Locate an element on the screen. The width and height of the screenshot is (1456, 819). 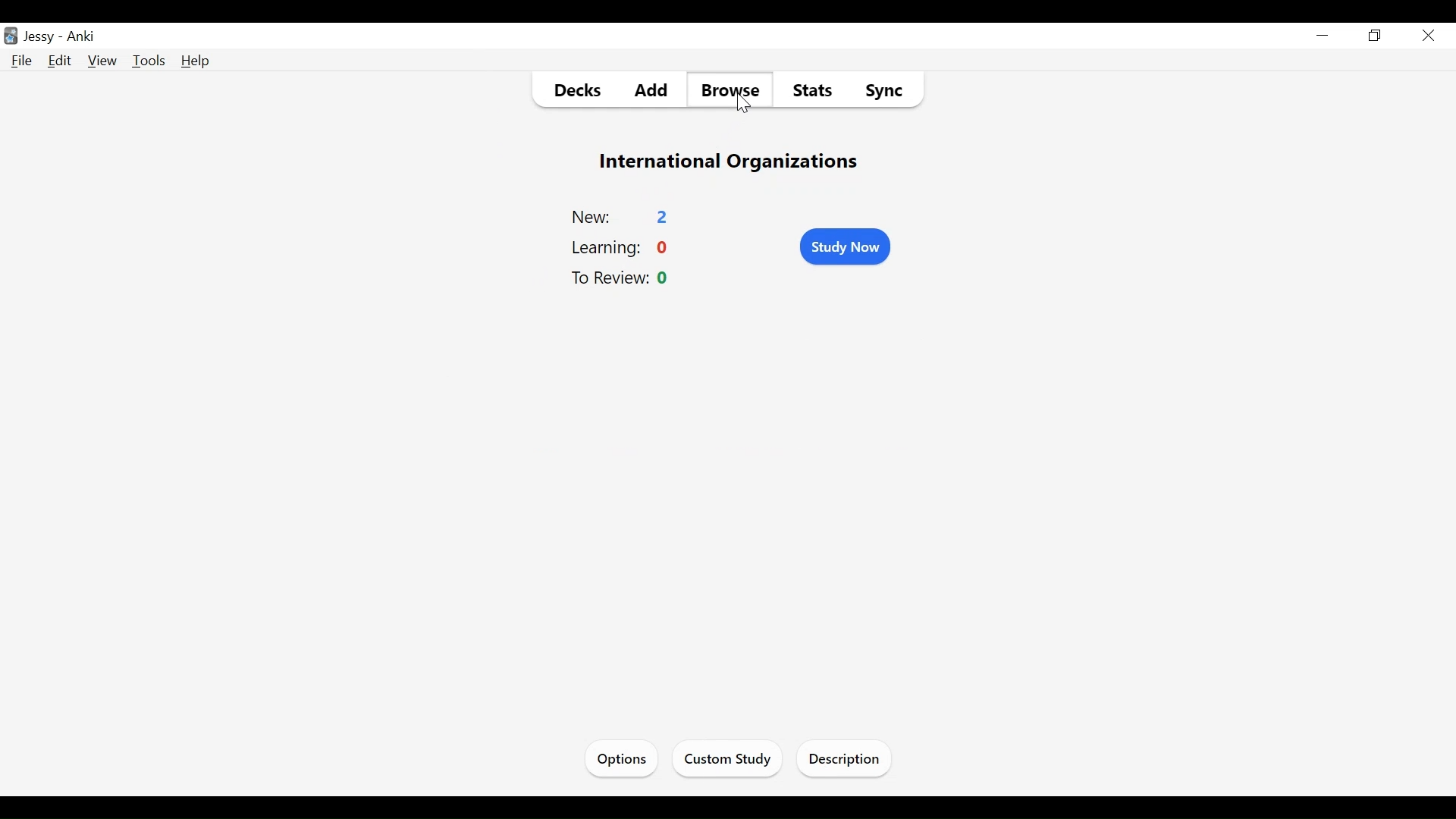
Browse is located at coordinates (730, 91).